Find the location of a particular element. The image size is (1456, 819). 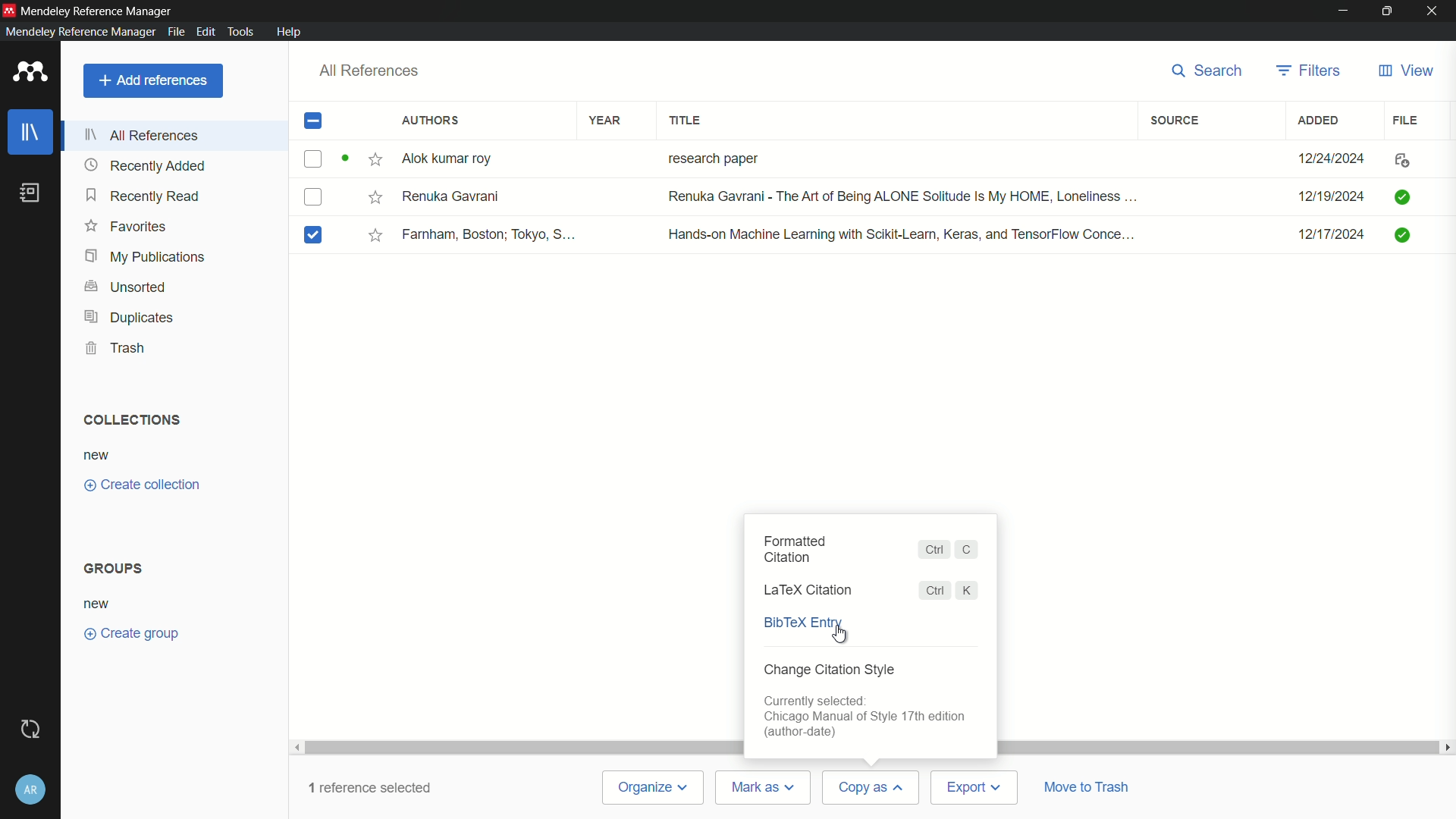

Mendeley Reference Manager is located at coordinates (102, 9).